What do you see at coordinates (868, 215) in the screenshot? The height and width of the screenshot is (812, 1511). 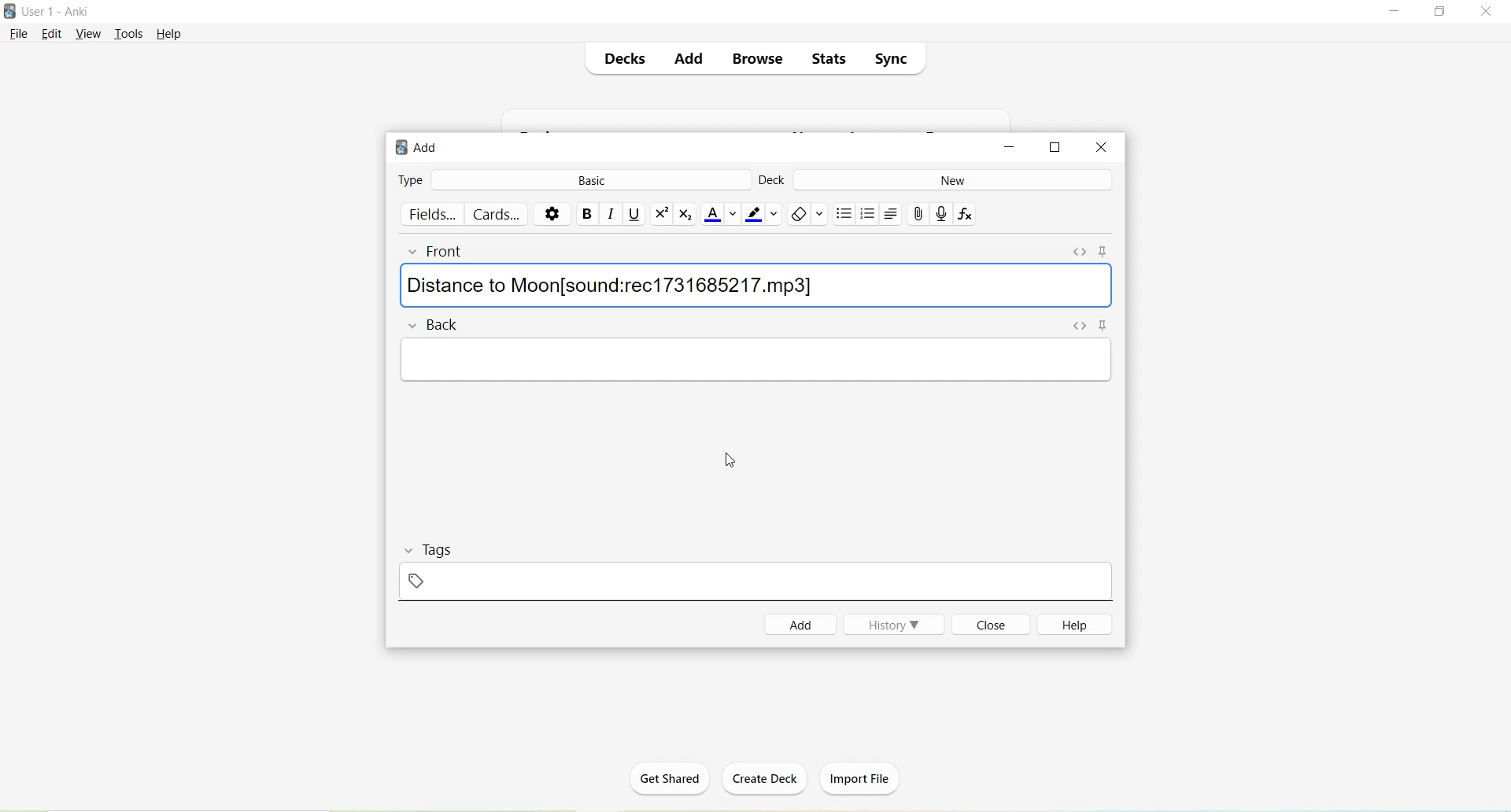 I see `Ordered list` at bounding box center [868, 215].